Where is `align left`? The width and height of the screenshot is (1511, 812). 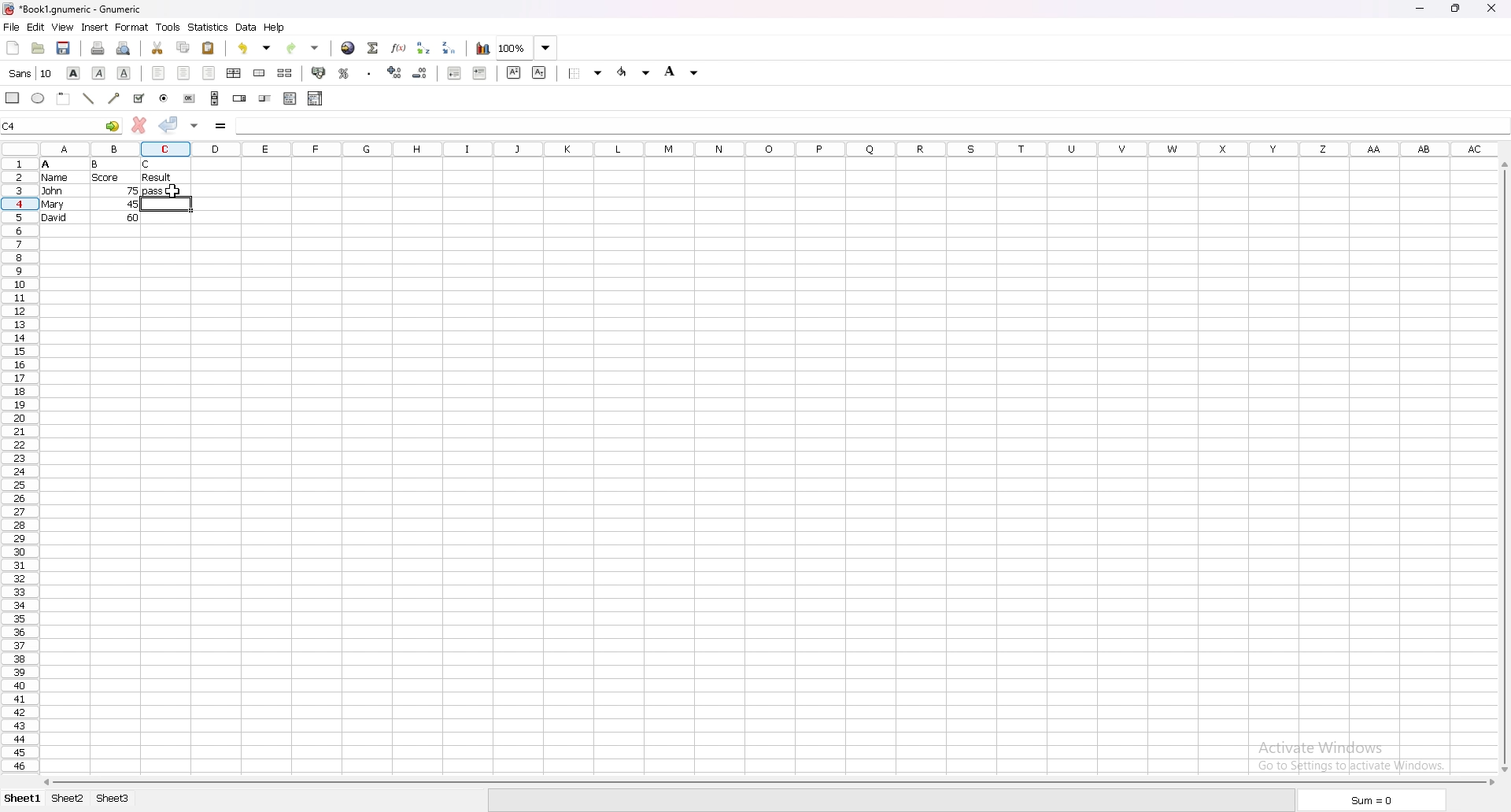
align left is located at coordinates (158, 73).